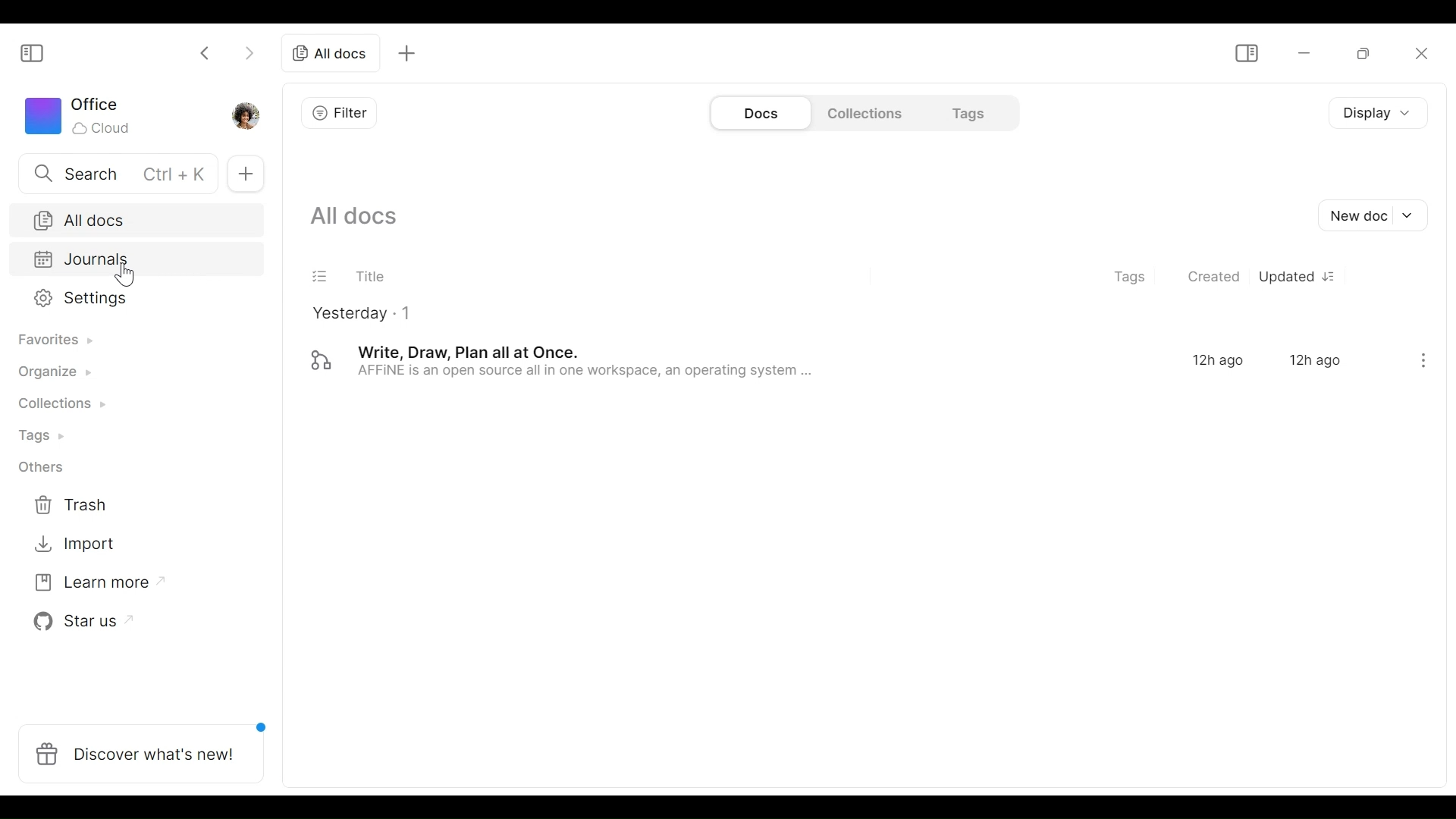 This screenshot has height=819, width=1456. What do you see at coordinates (325, 56) in the screenshot?
I see `All document` at bounding box center [325, 56].